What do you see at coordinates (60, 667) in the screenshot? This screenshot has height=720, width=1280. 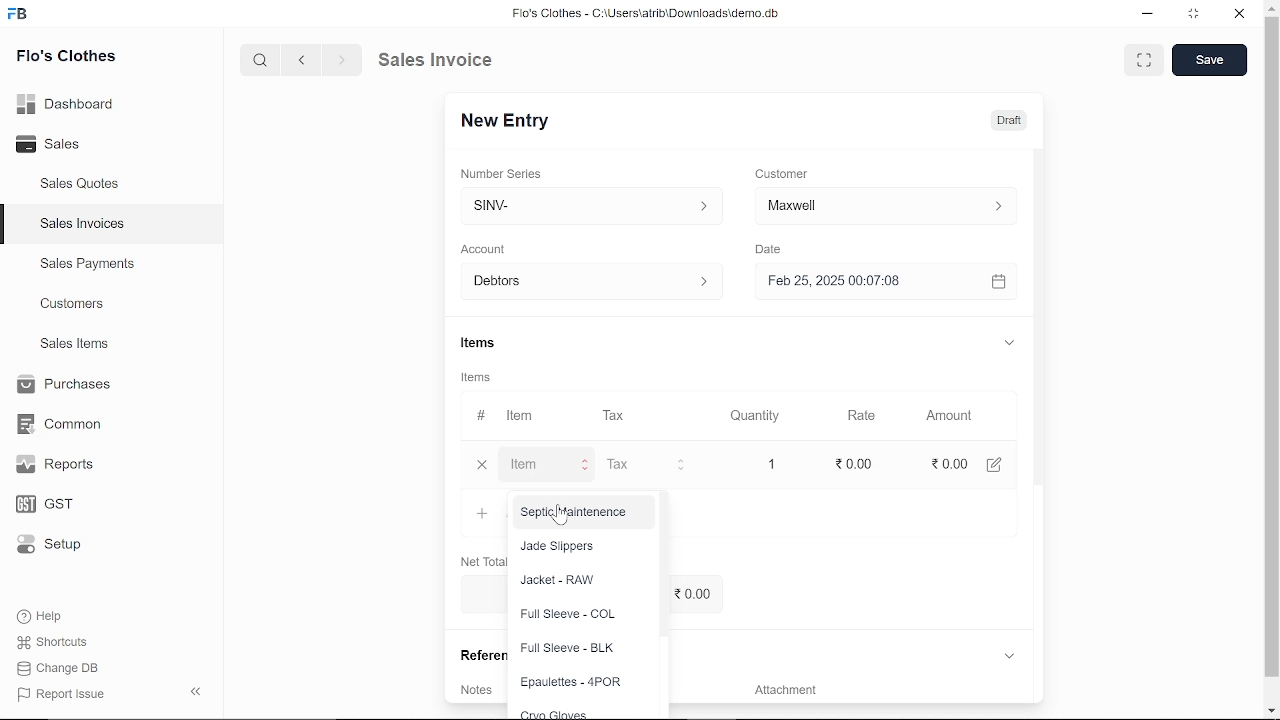 I see `Change DB` at bounding box center [60, 667].